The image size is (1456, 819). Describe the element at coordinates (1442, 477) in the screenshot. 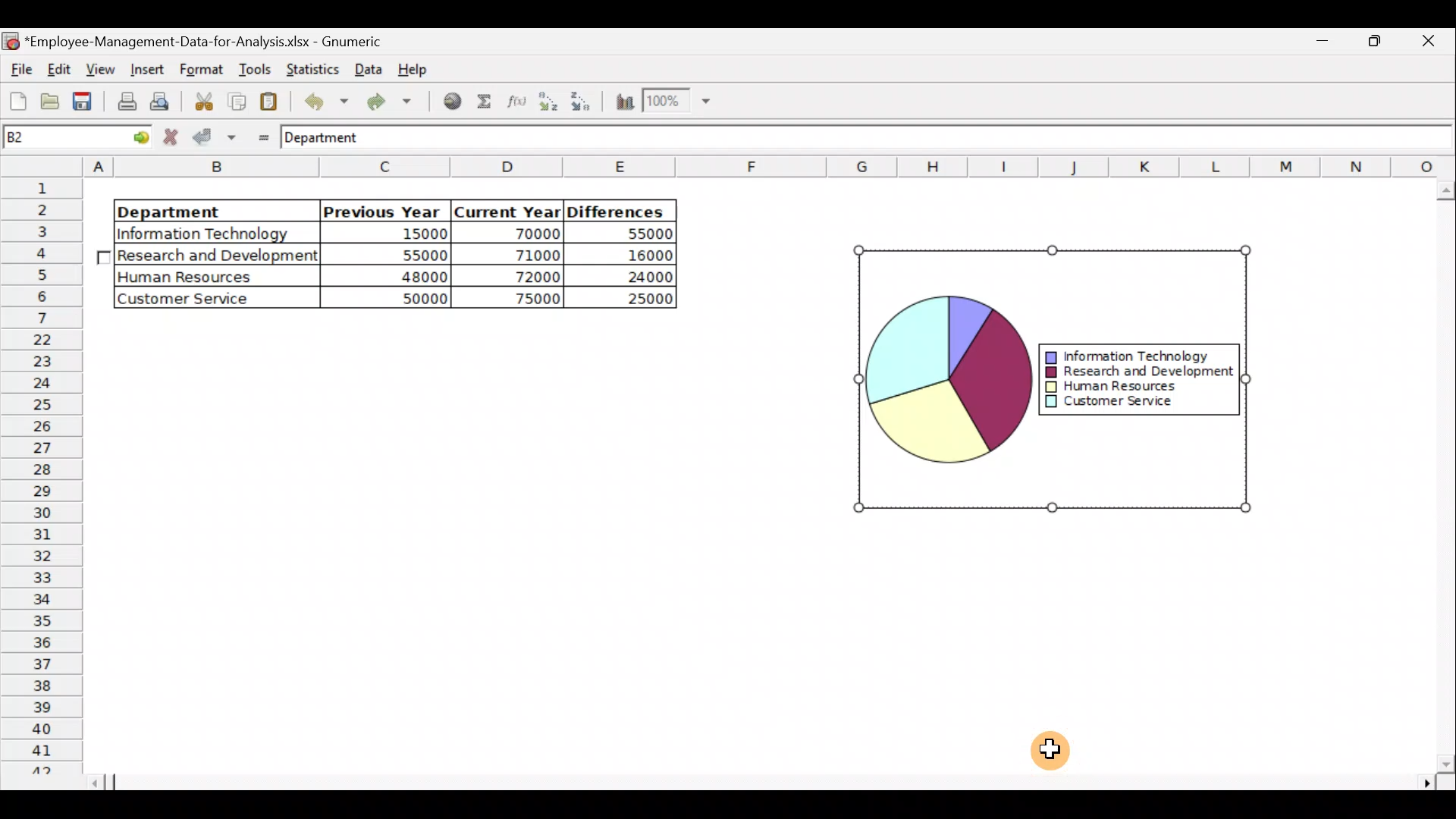

I see `Scroll bar` at that location.